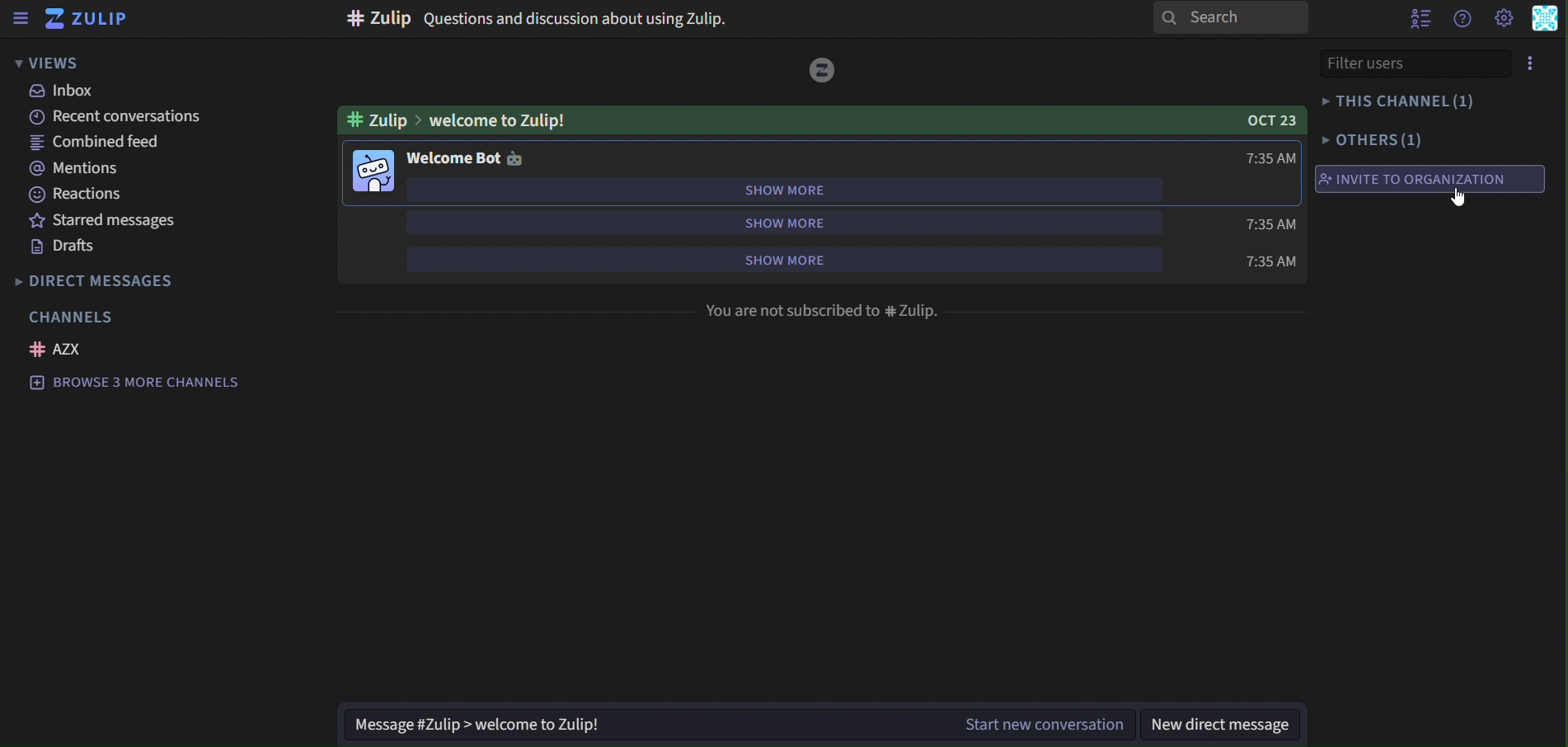 This screenshot has height=747, width=1568. I want to click on hide user list, so click(1418, 20).